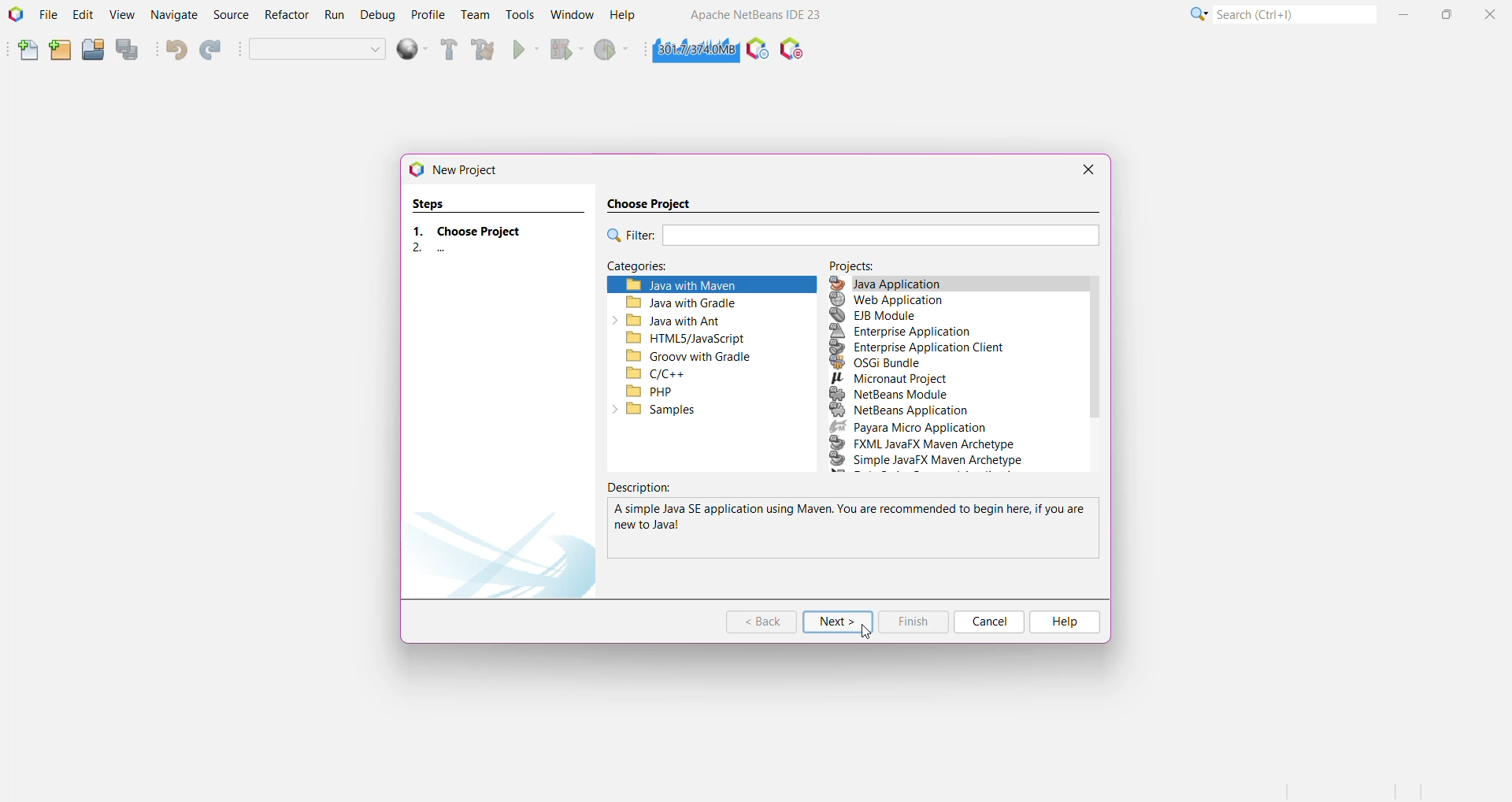 Image resolution: width=1512 pixels, height=802 pixels. Describe the element at coordinates (463, 169) in the screenshot. I see `New Project` at that location.